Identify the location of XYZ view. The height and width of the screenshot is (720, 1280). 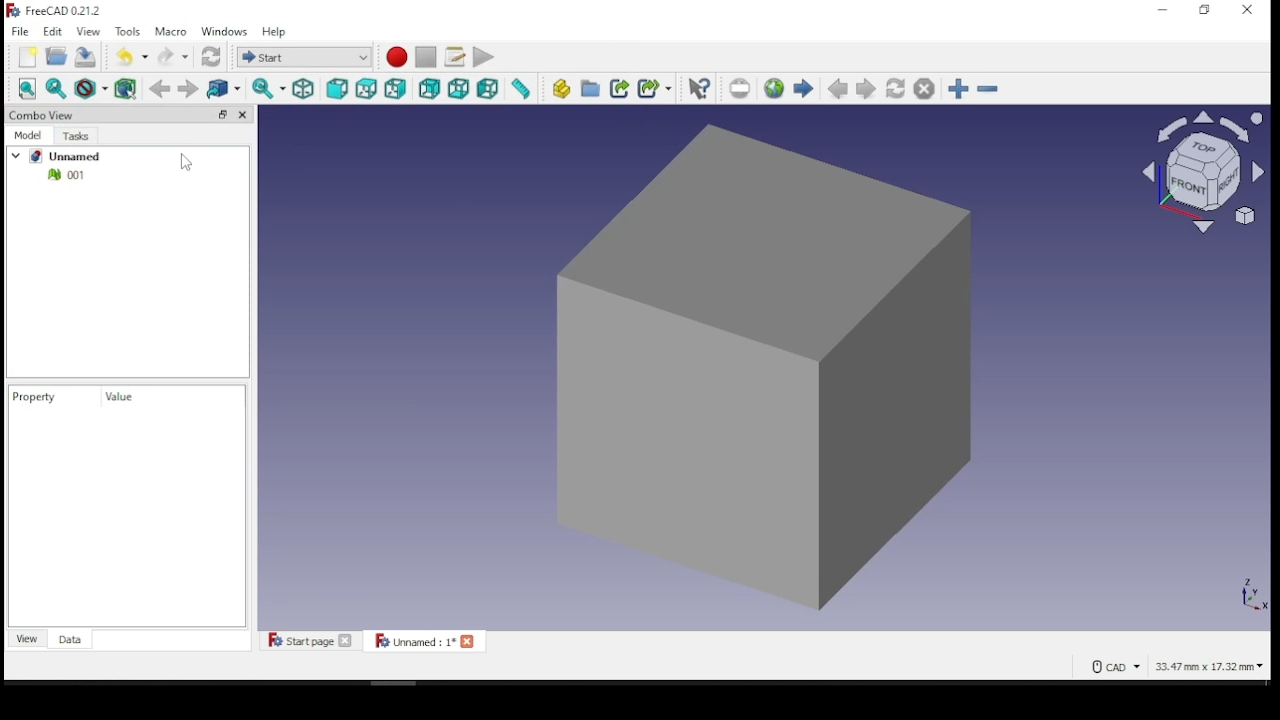
(1235, 590).